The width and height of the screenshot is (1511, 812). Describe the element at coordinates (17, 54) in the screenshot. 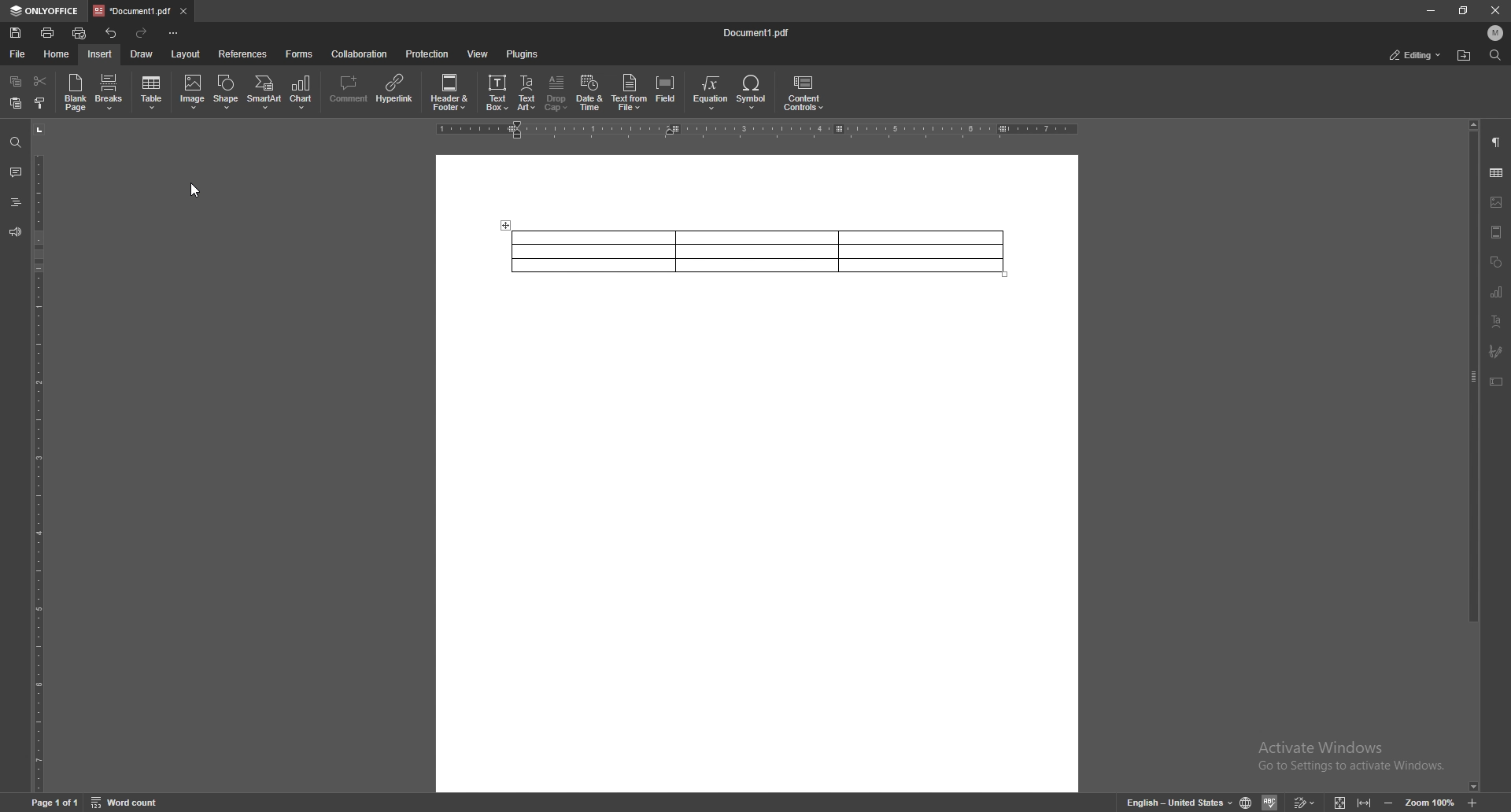

I see `file` at that location.